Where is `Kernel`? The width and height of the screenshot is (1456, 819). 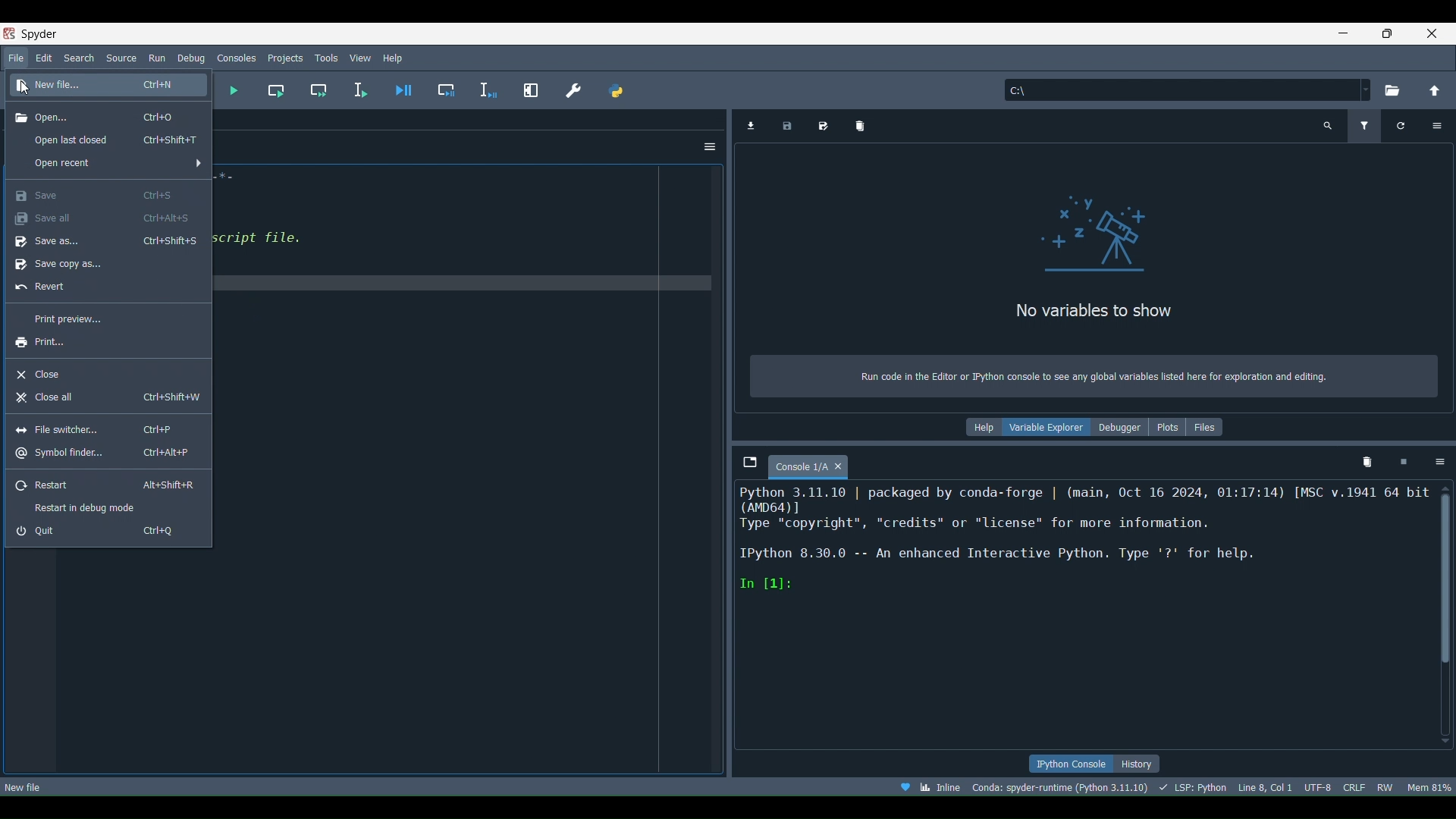
Kernel is located at coordinates (1087, 544).